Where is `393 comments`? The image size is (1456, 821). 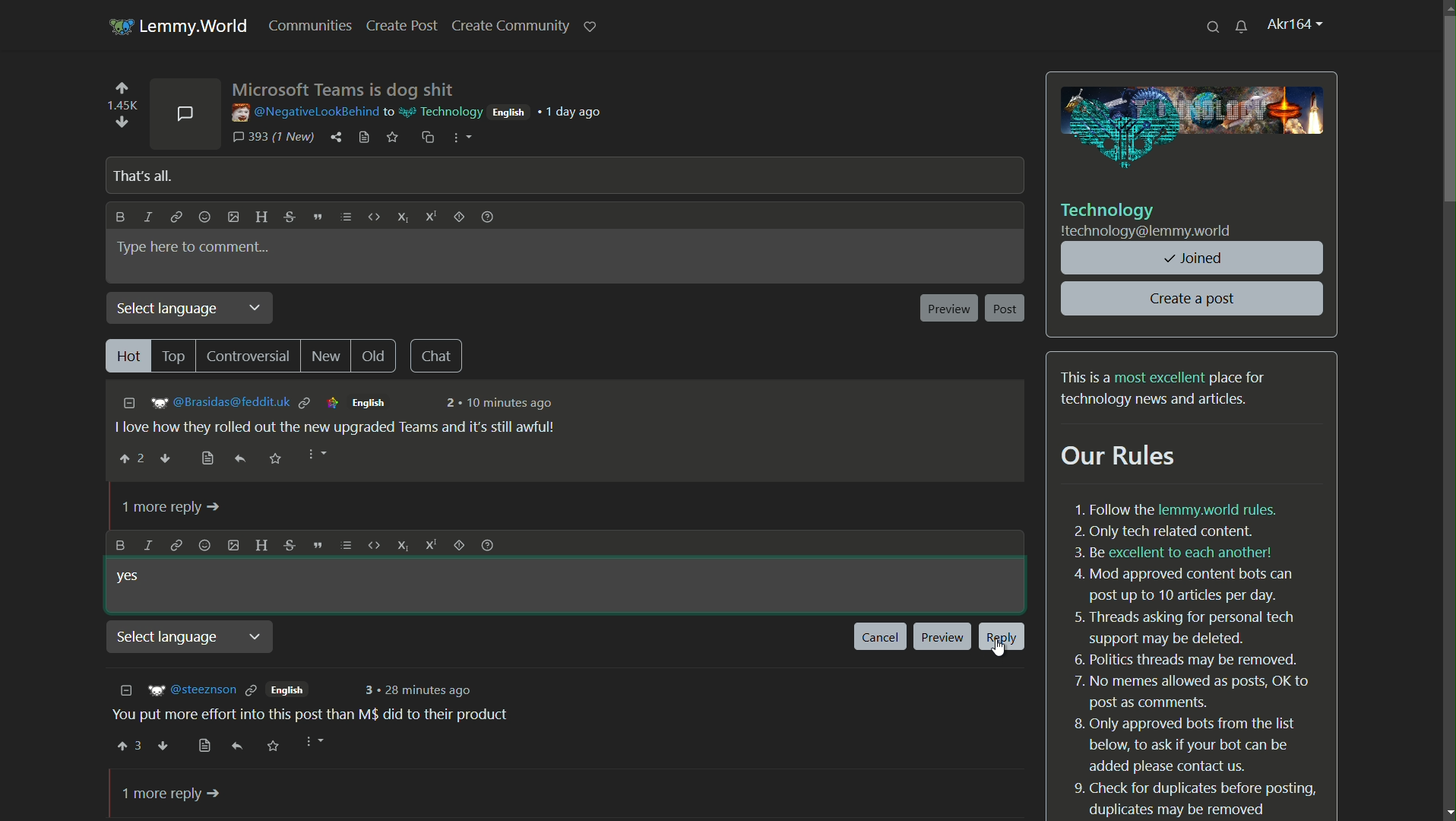
393 comments is located at coordinates (273, 138).